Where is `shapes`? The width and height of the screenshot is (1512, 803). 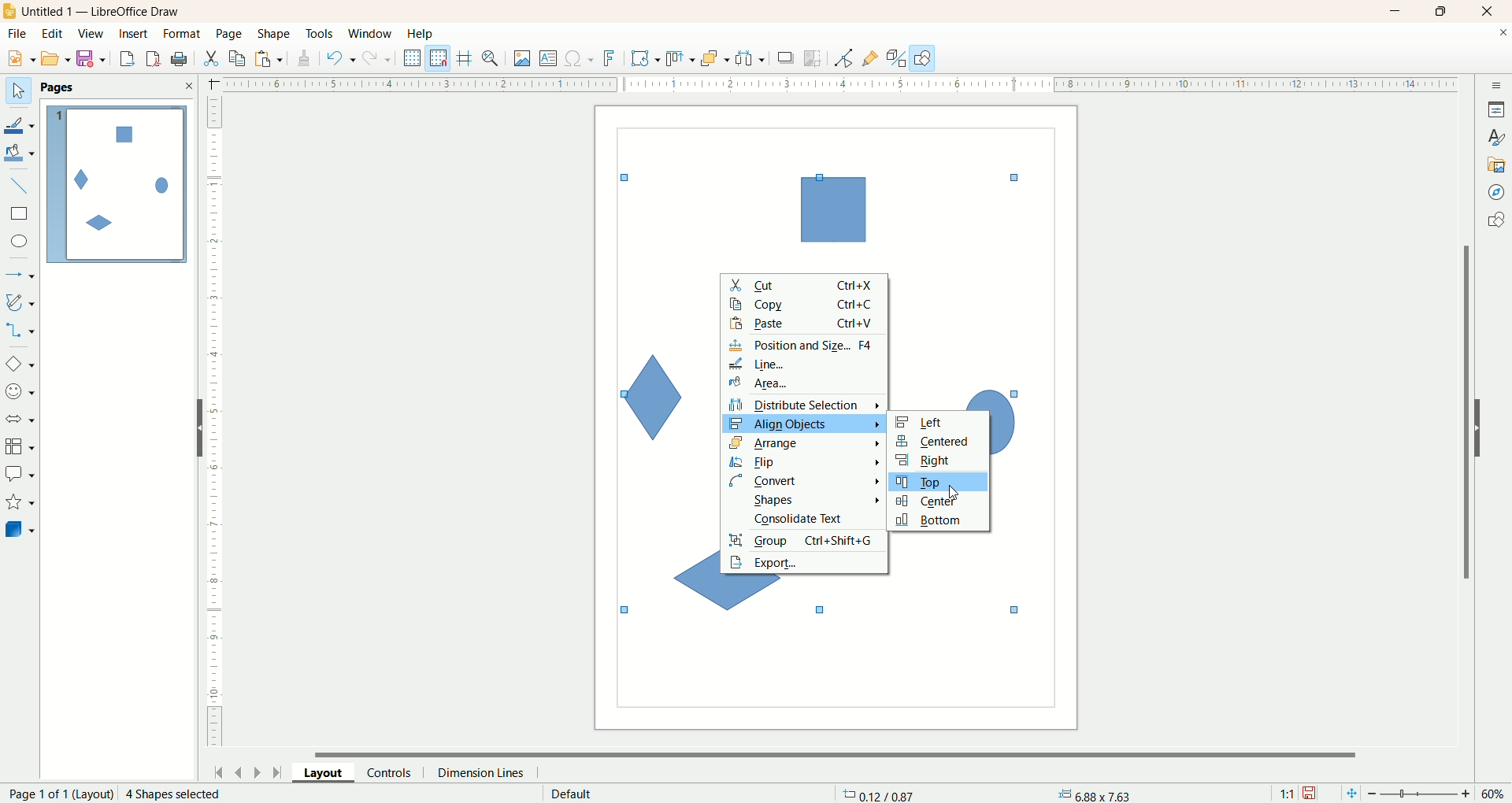 shapes is located at coordinates (806, 498).